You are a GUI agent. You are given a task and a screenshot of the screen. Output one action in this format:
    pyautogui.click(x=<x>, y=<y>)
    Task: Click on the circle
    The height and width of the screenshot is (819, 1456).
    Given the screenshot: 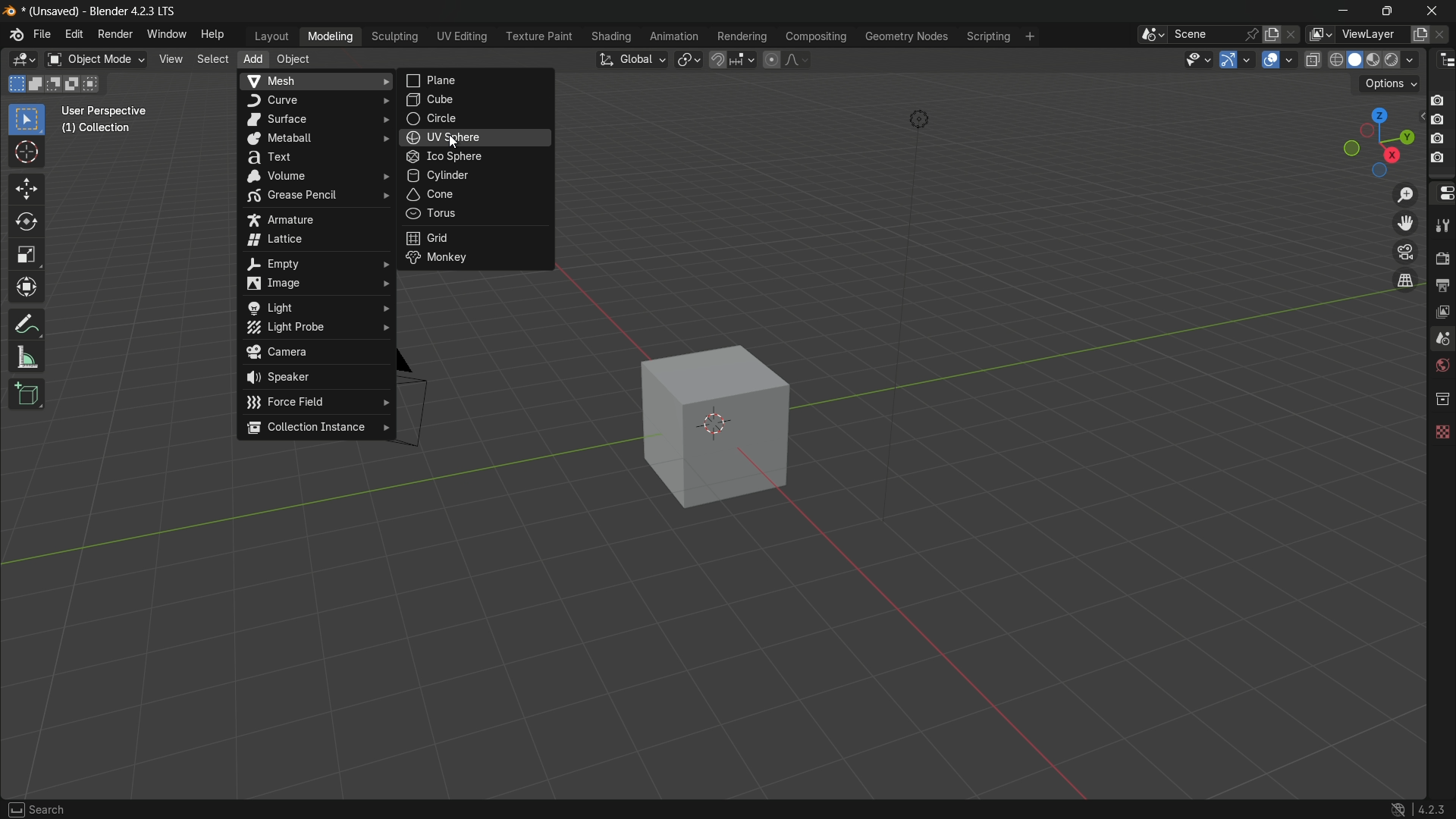 What is the action you would take?
    pyautogui.click(x=477, y=121)
    